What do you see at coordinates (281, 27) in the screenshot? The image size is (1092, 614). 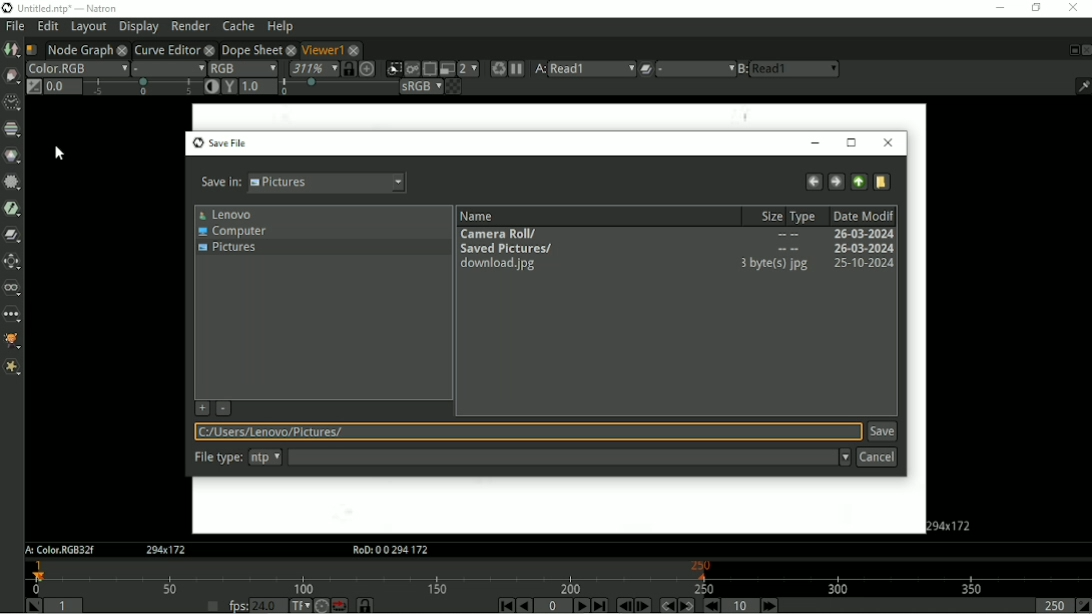 I see `Help` at bounding box center [281, 27].